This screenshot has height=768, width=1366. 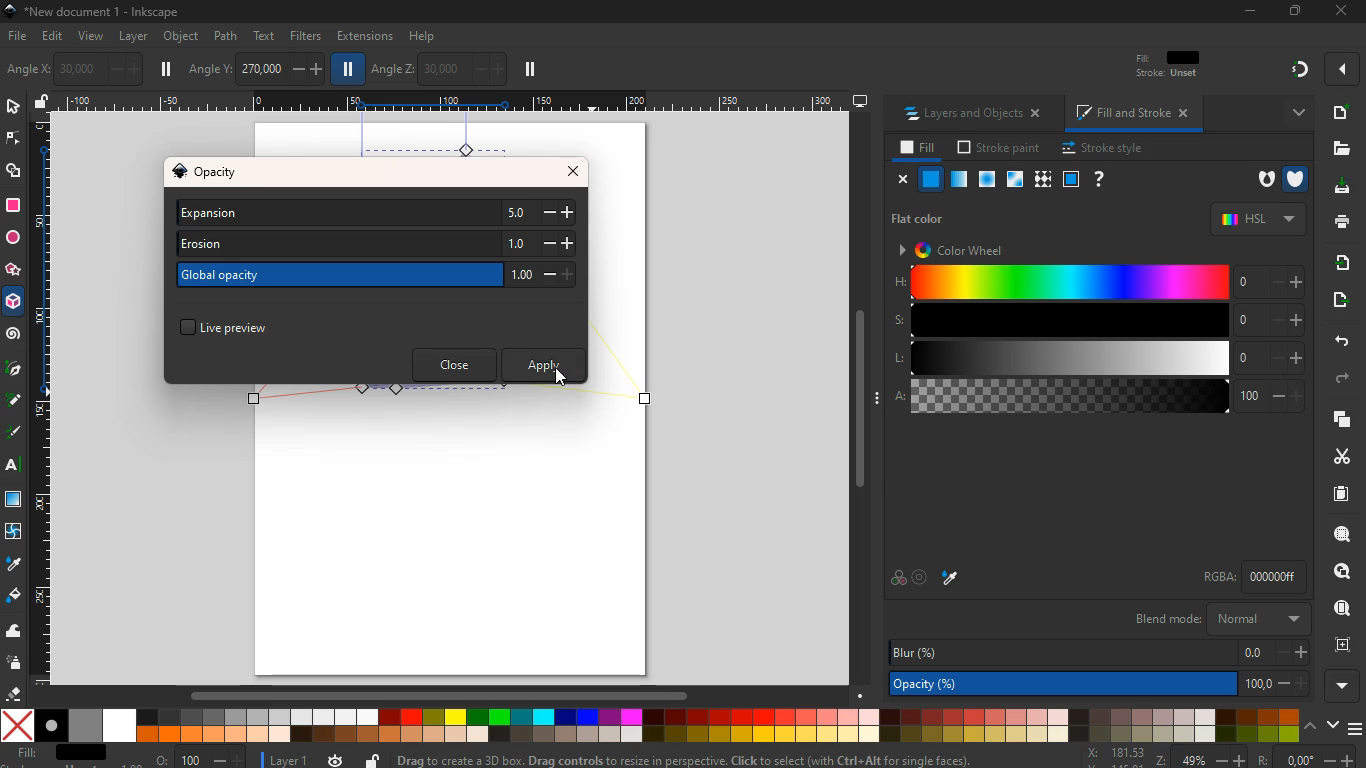 What do you see at coordinates (1169, 69) in the screenshot?
I see `filt` at bounding box center [1169, 69].